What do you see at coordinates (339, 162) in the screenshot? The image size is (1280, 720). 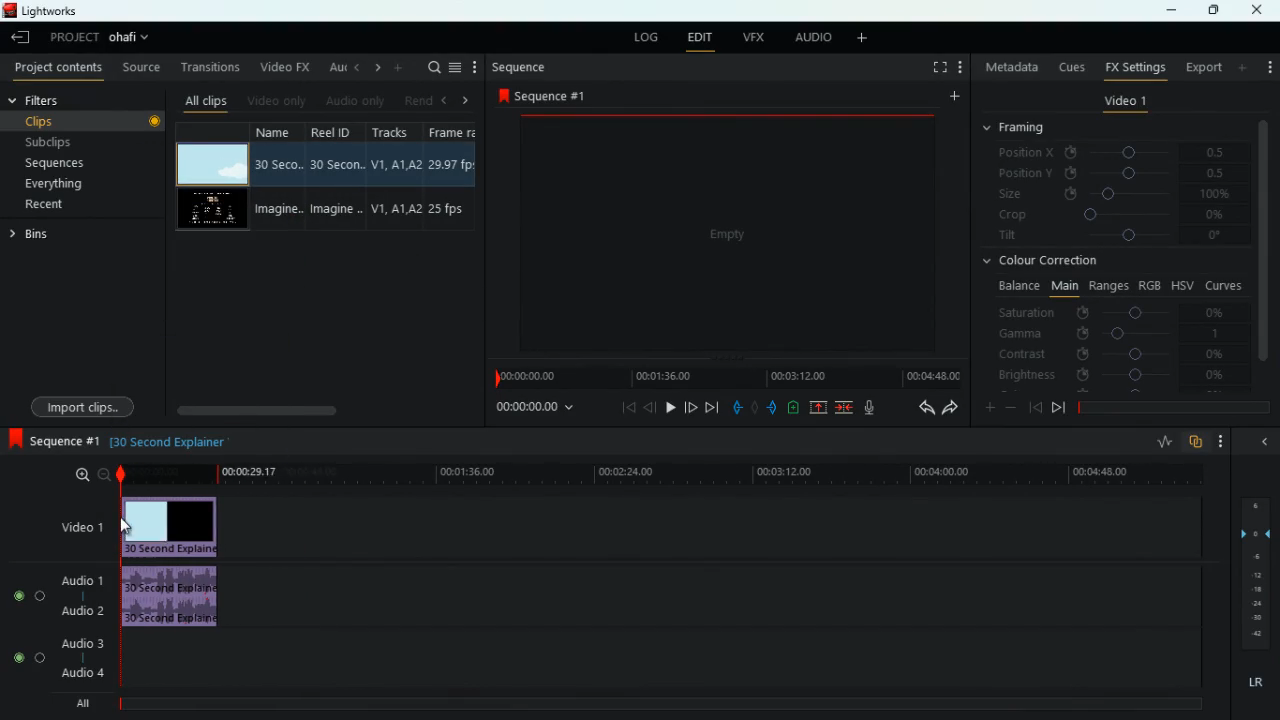 I see `30 Secon..` at bounding box center [339, 162].